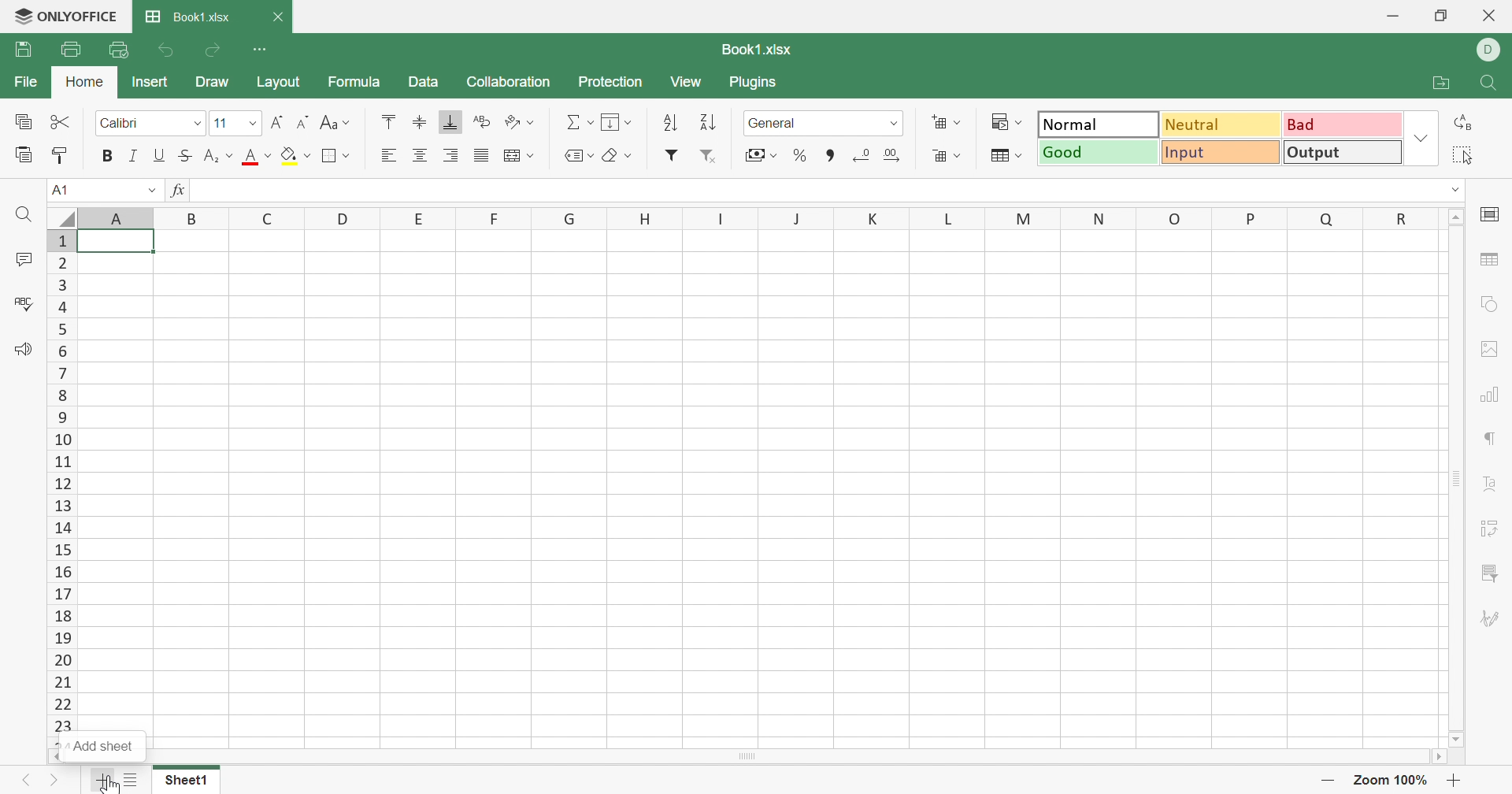 This screenshot has width=1512, height=794. I want to click on Change case, so click(325, 121).